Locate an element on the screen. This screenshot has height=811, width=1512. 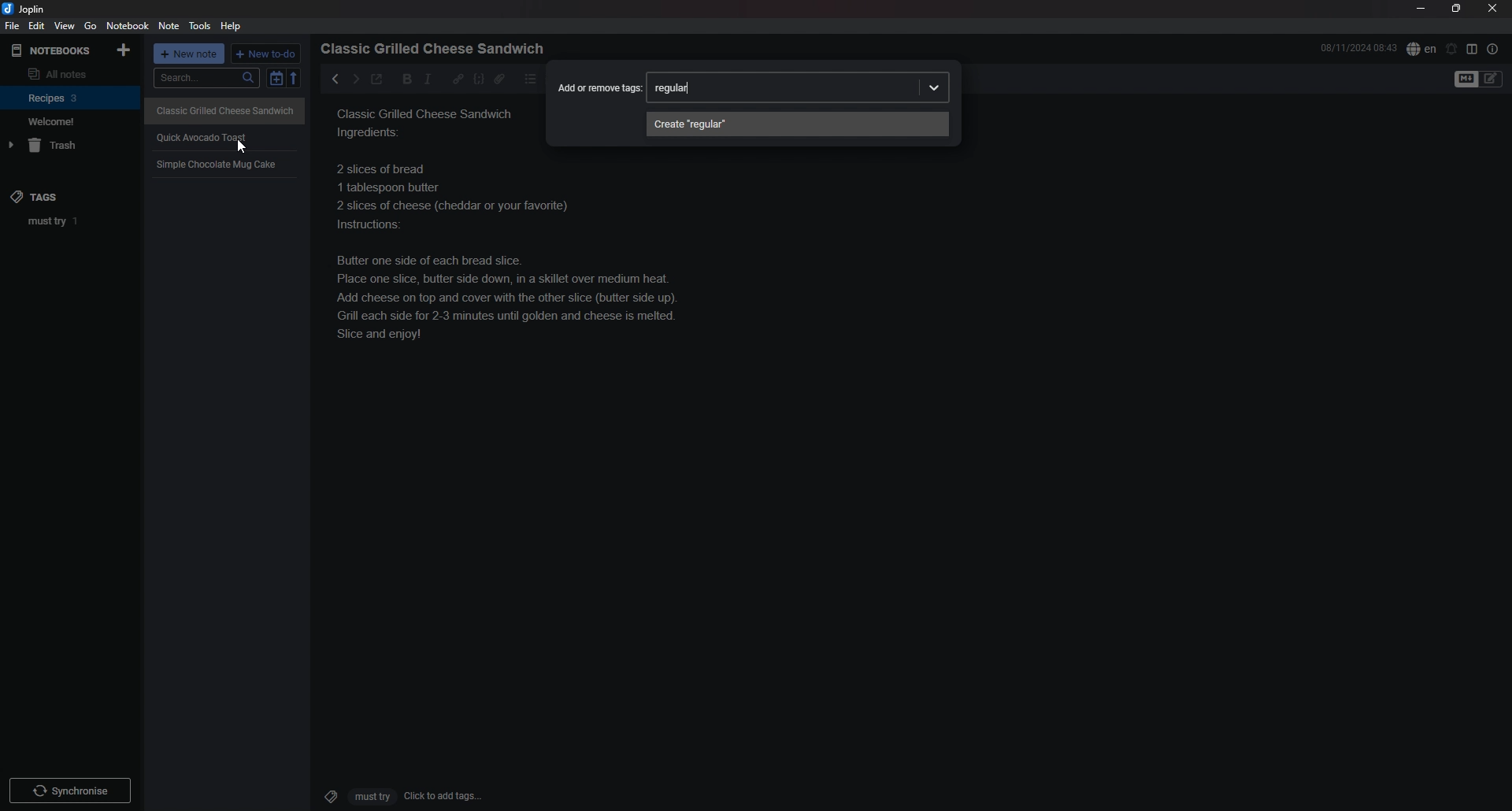
toggle editor is located at coordinates (1480, 80).